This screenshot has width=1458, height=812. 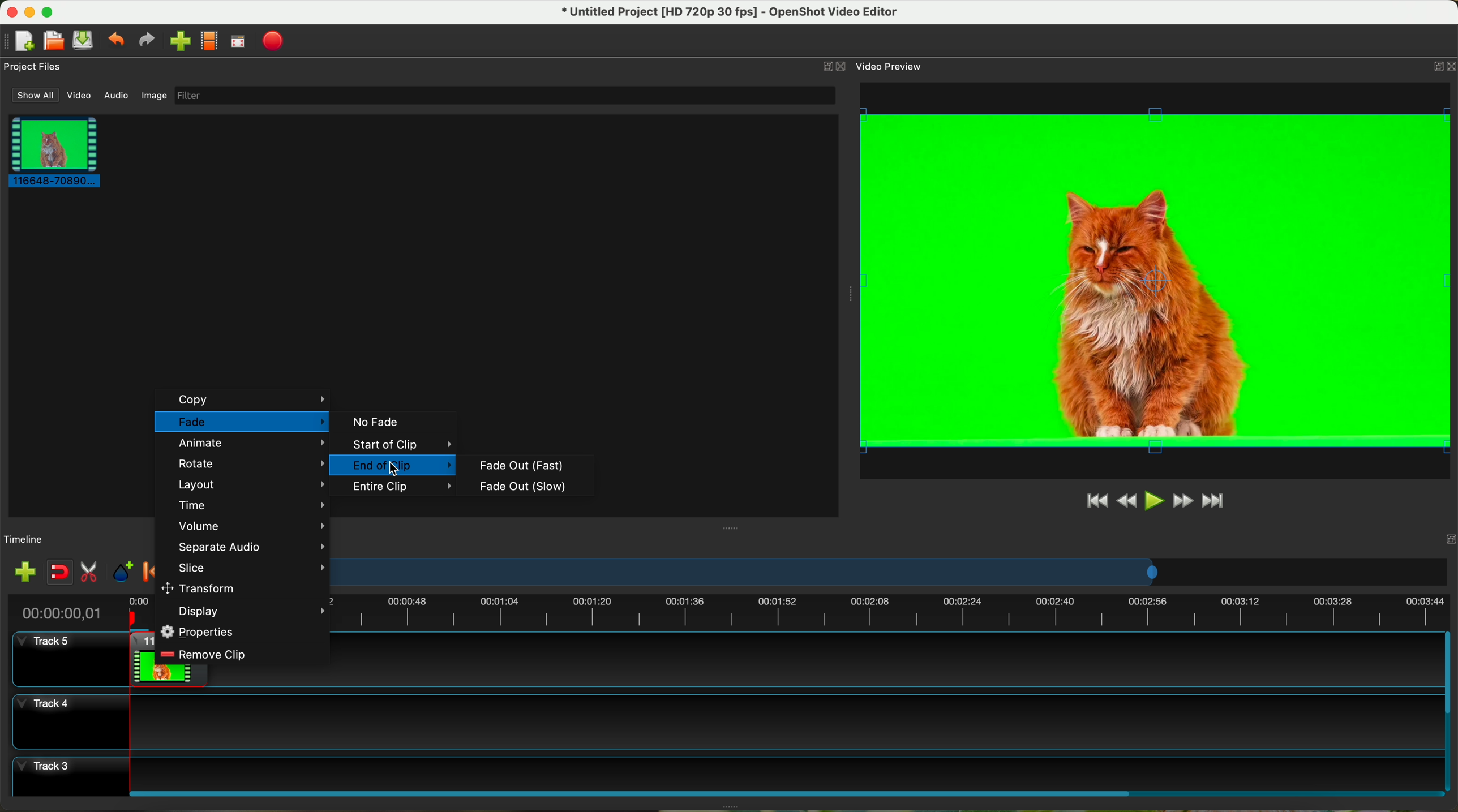 I want to click on fade out, so click(x=520, y=466).